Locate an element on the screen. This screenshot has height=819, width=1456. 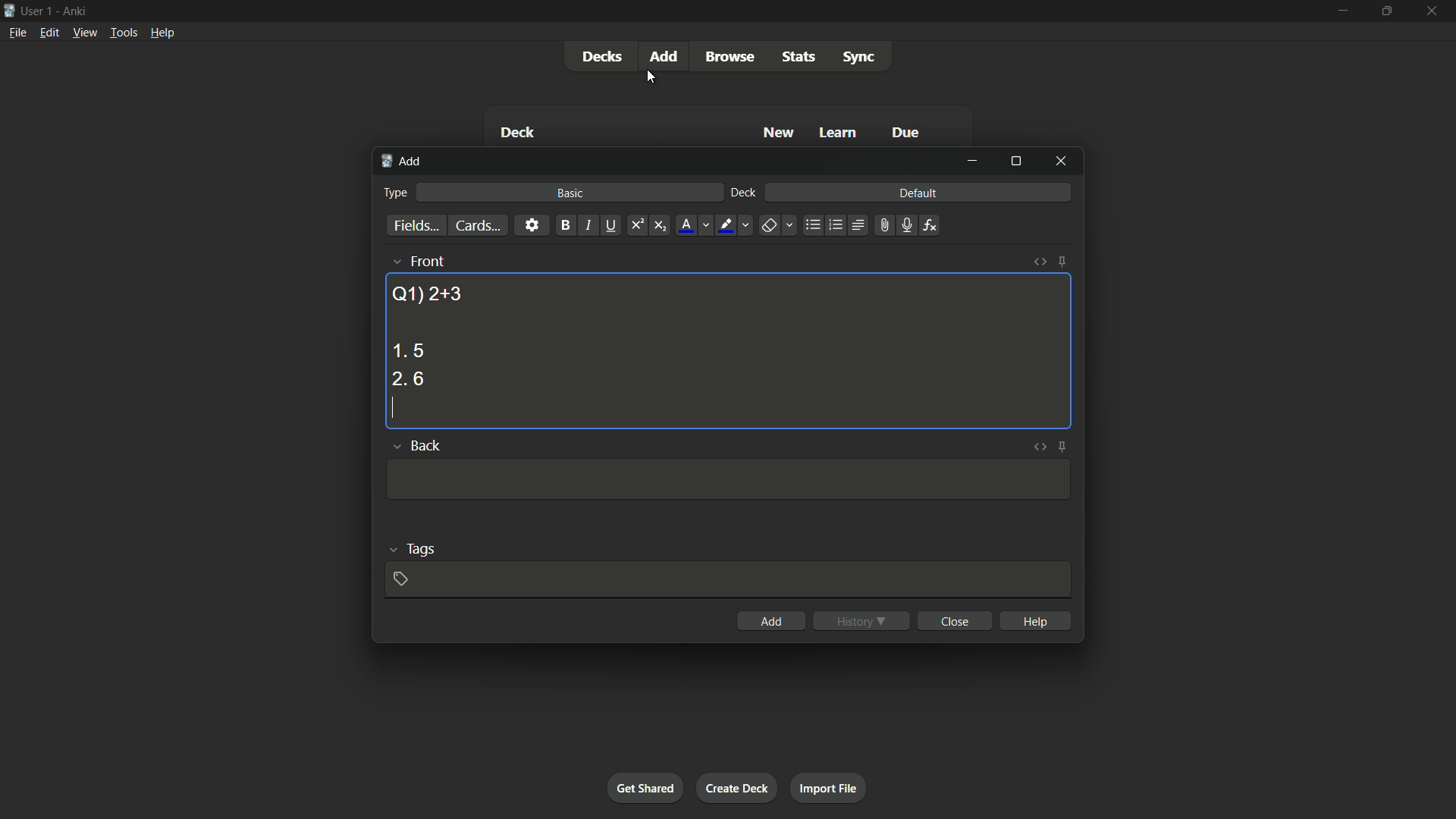
minimize is located at coordinates (972, 161).